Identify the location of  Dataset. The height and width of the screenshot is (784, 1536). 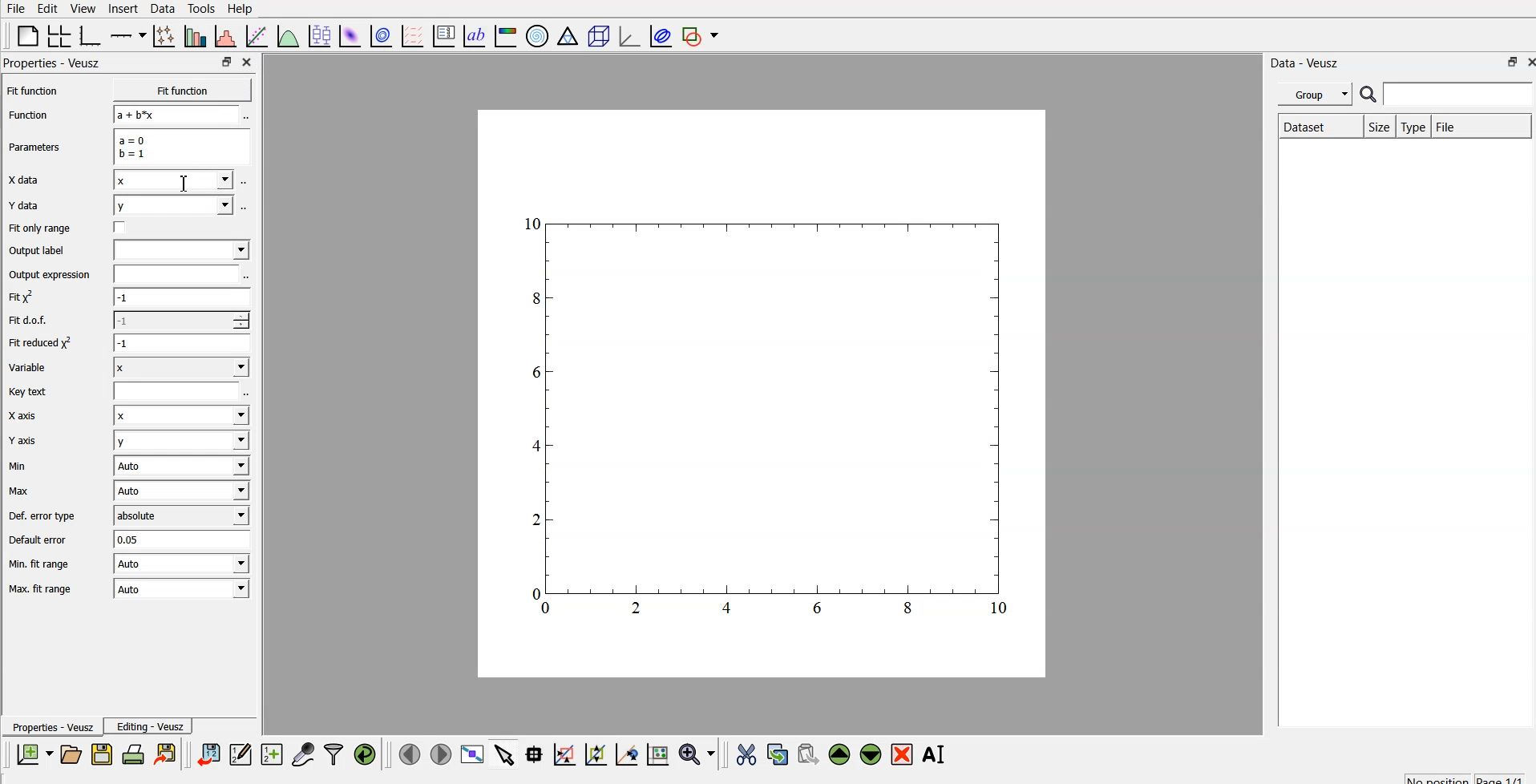
(1320, 126).